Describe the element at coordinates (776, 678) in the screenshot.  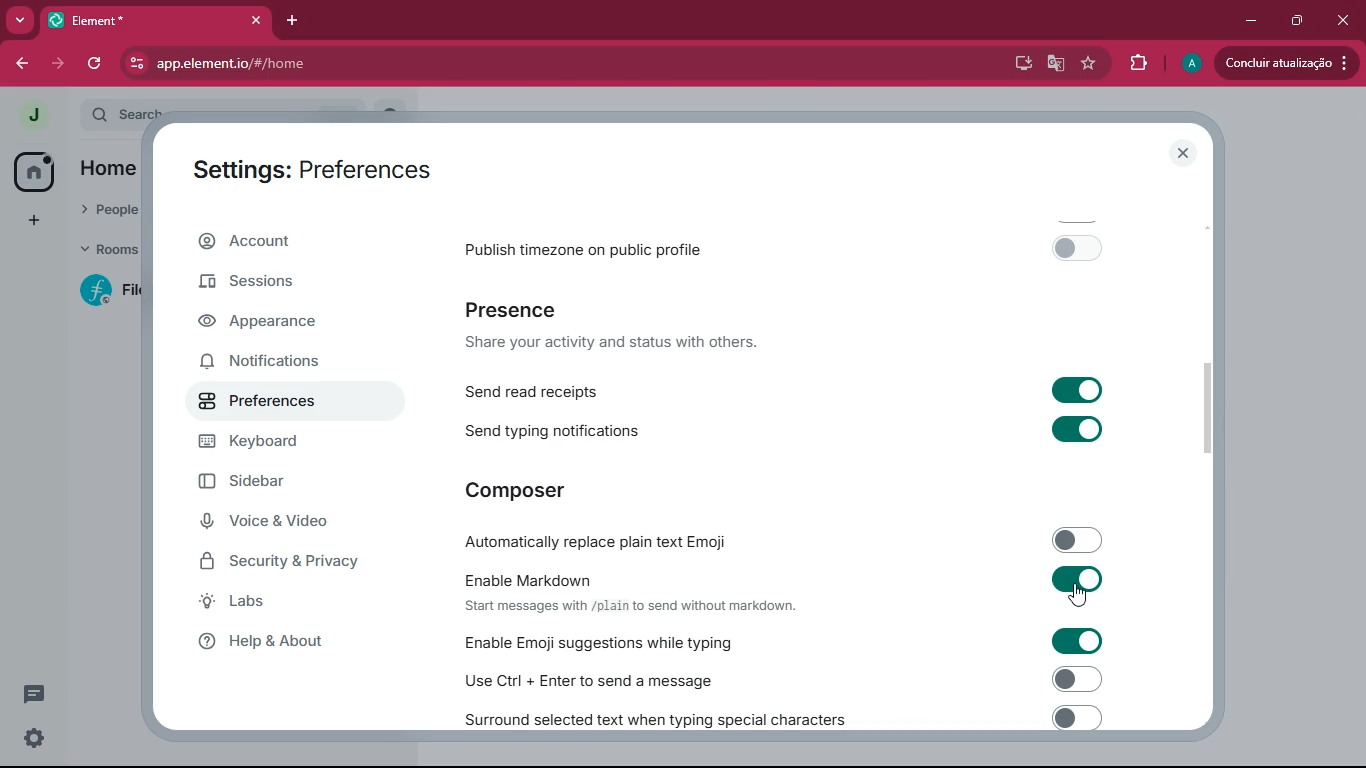
I see `use ctrl enter` at that location.